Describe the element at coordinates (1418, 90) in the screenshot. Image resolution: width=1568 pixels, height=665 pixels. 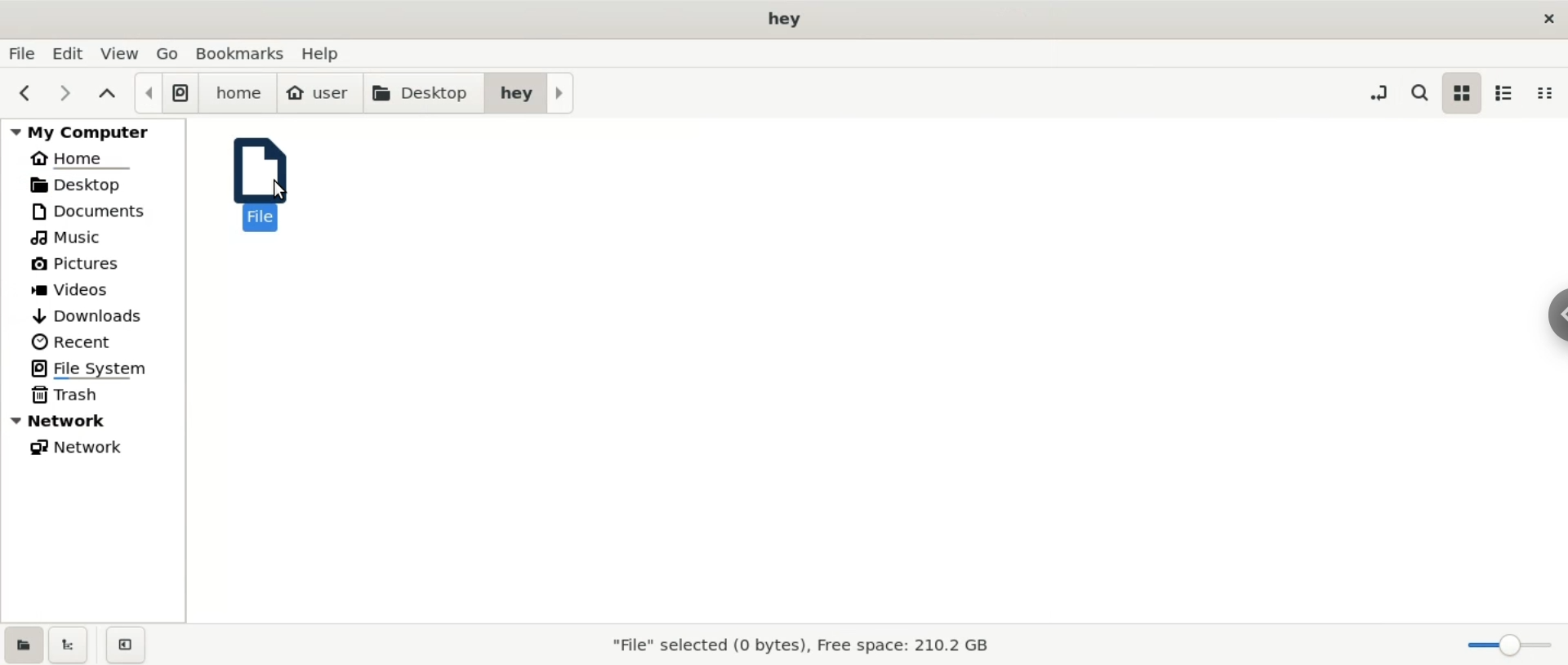
I see `search` at that location.